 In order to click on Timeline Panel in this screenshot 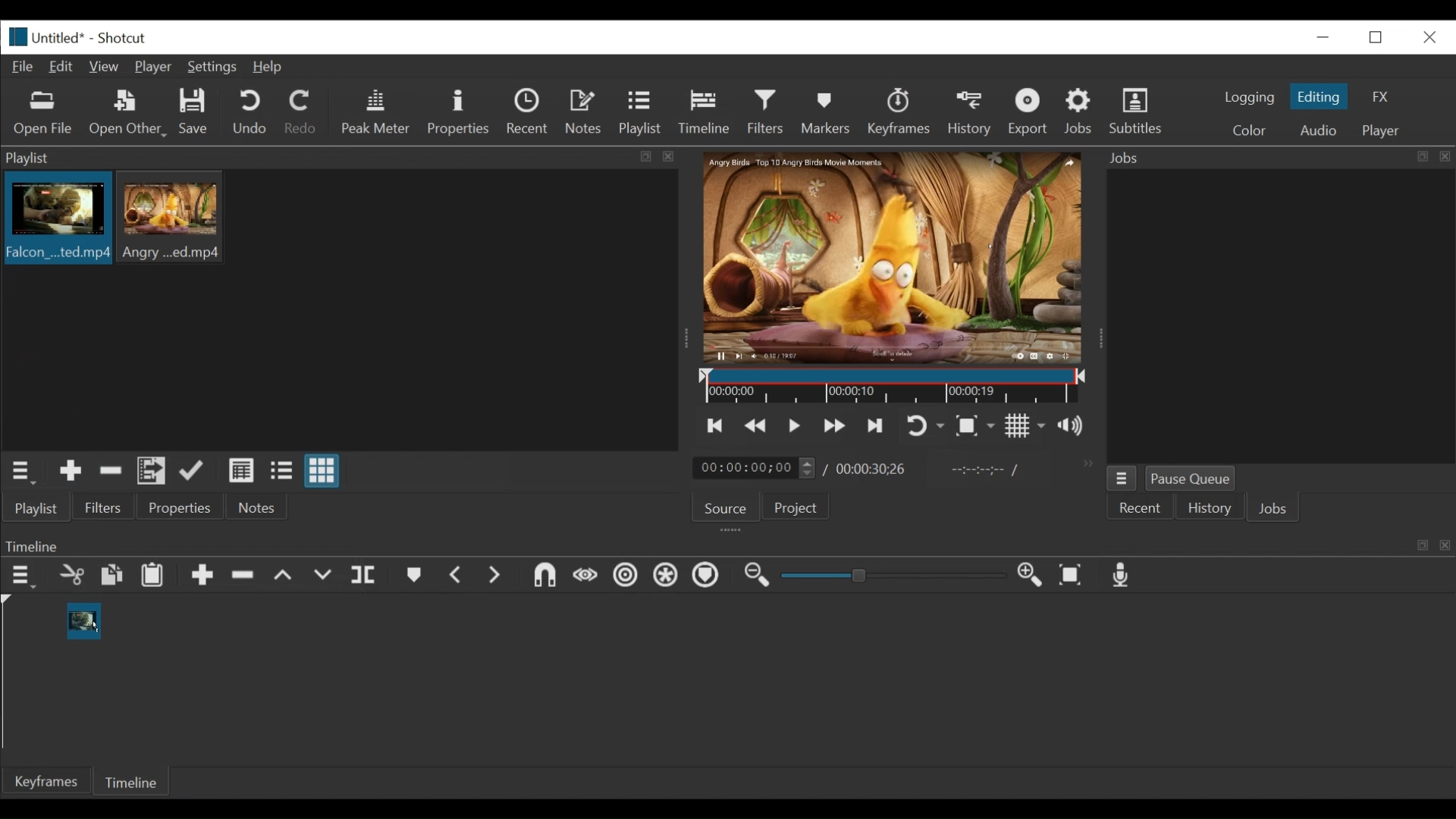, I will do `click(726, 545)`.